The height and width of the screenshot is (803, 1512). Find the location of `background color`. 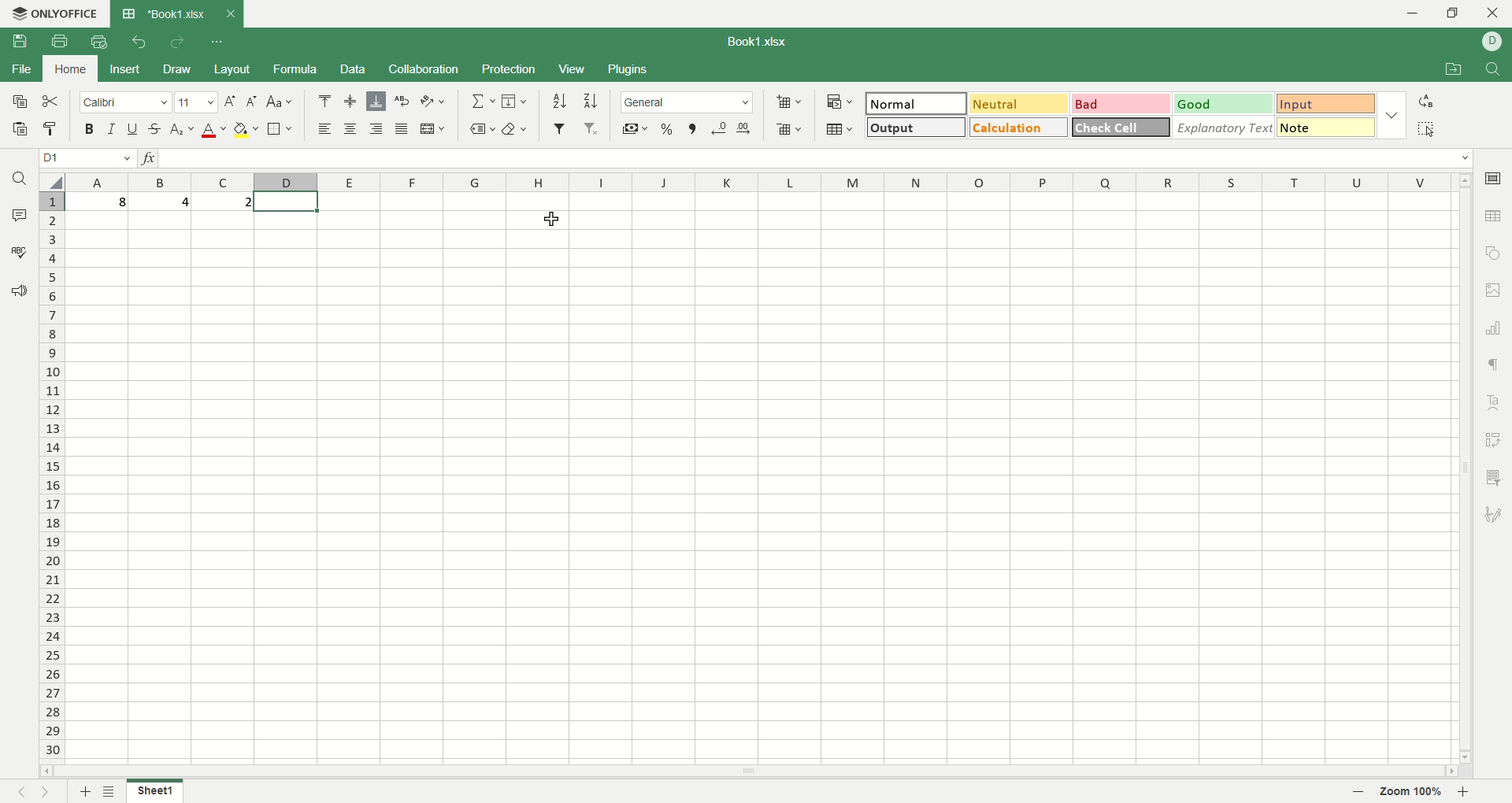

background color is located at coordinates (246, 130).